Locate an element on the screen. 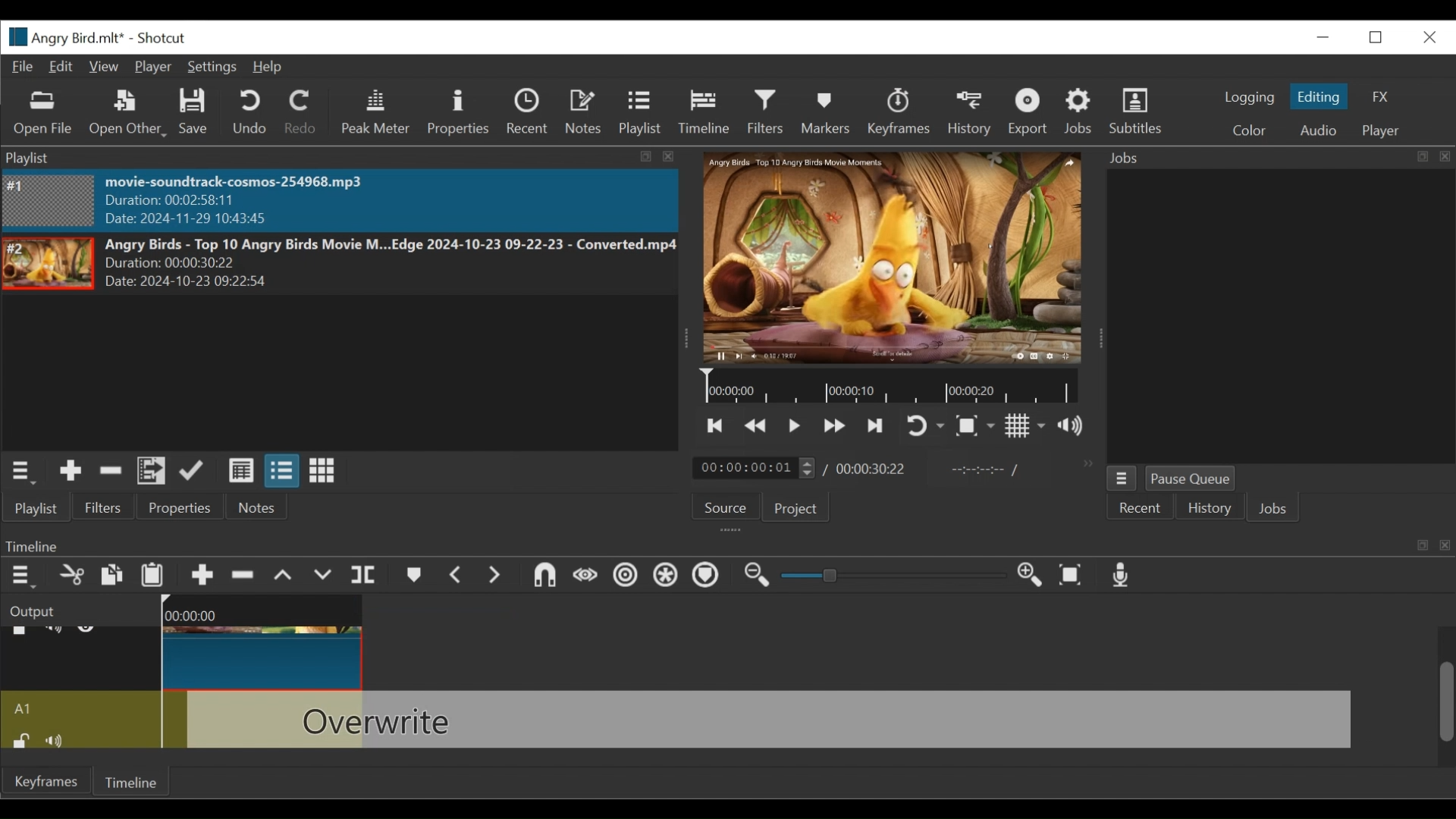 The image size is (1456, 819). Toggle play or pause is located at coordinates (795, 426).